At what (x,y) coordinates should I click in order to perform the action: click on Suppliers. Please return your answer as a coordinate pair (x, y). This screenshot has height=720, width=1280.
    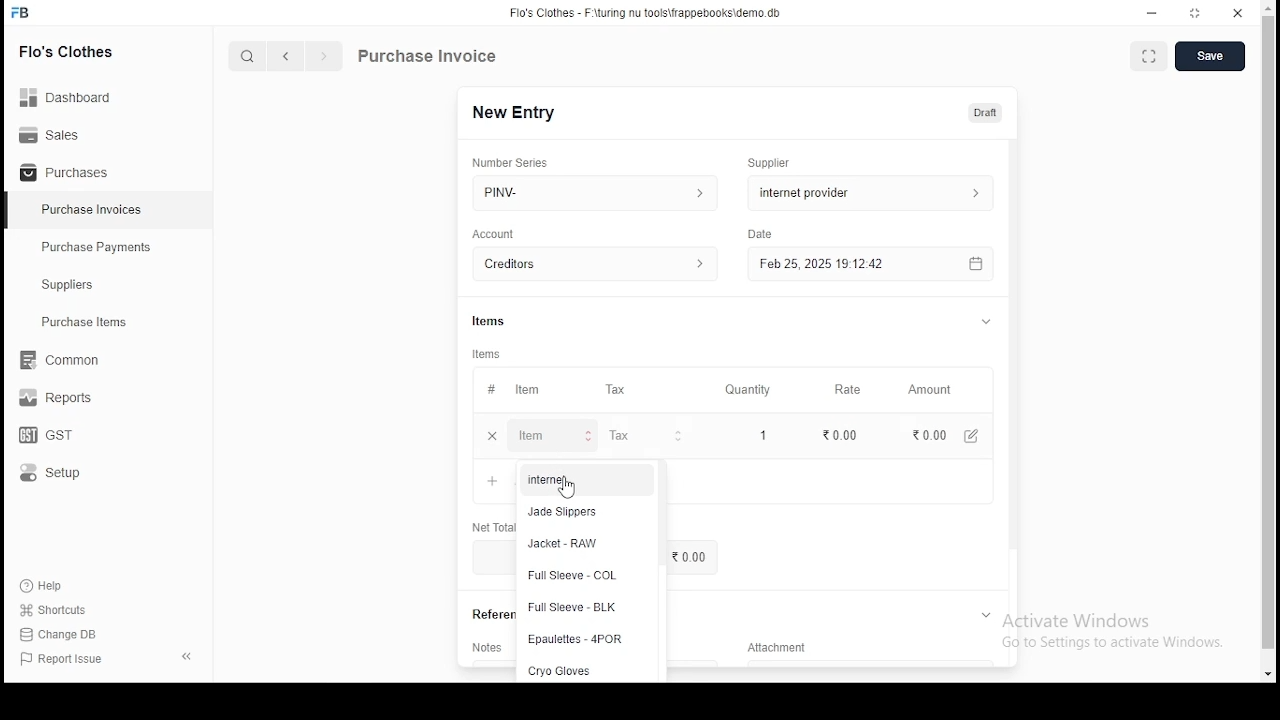
    Looking at the image, I should click on (72, 285).